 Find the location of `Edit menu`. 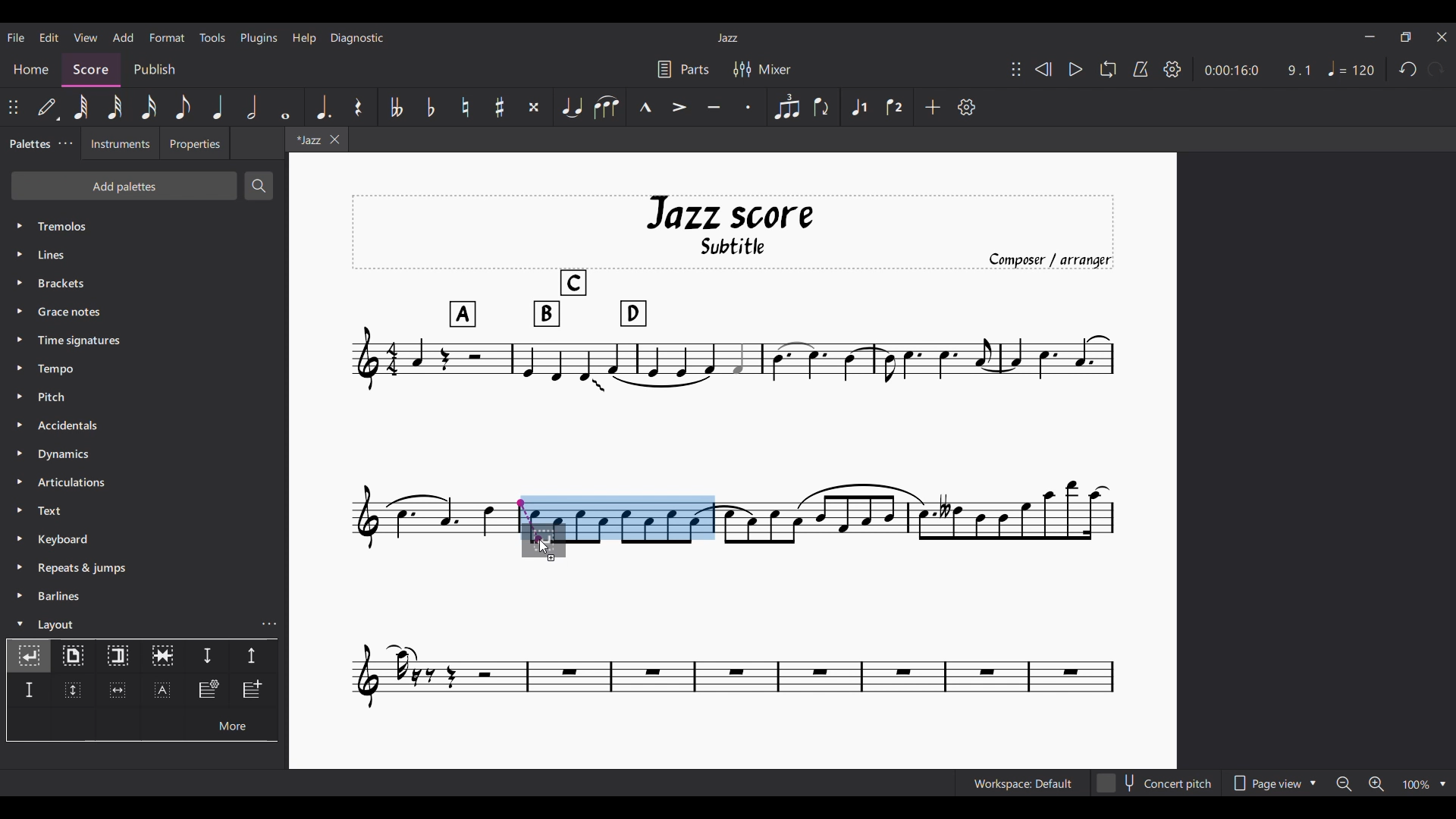

Edit menu is located at coordinates (49, 38).